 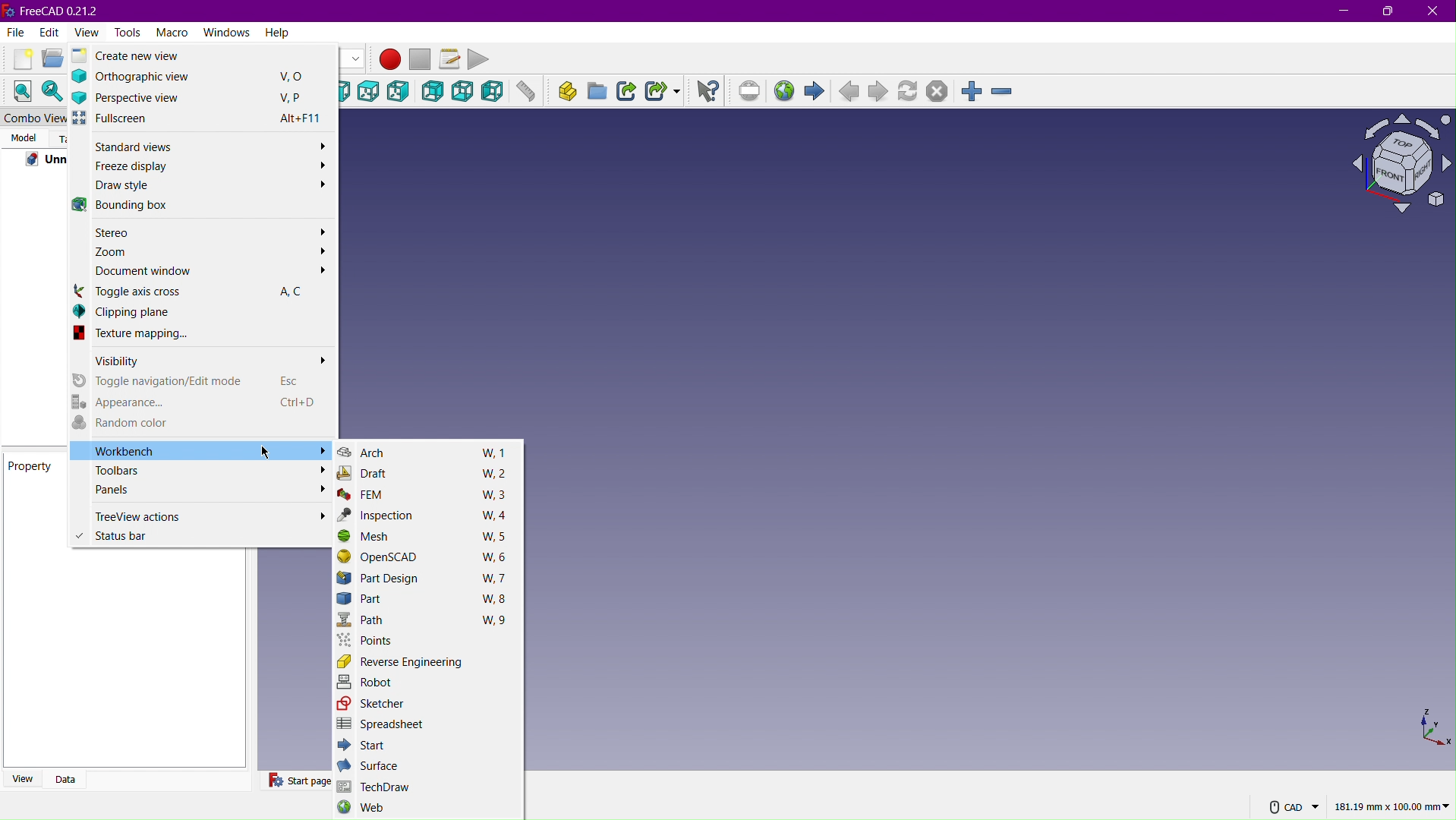 What do you see at coordinates (373, 704) in the screenshot?
I see `Sketcher` at bounding box center [373, 704].